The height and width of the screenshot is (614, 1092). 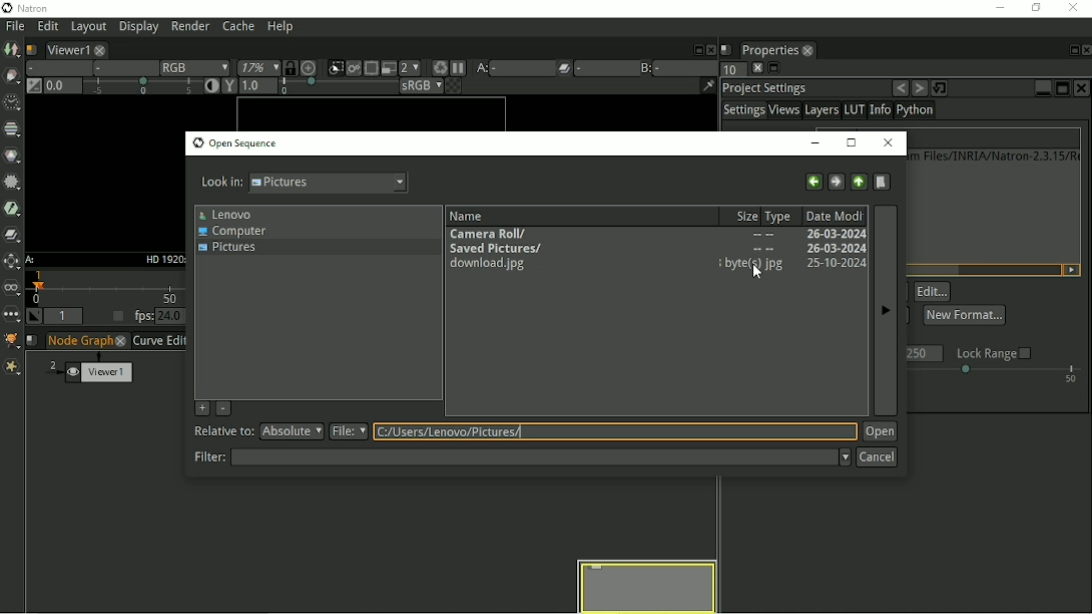 I want to click on frame rate, so click(x=996, y=375).